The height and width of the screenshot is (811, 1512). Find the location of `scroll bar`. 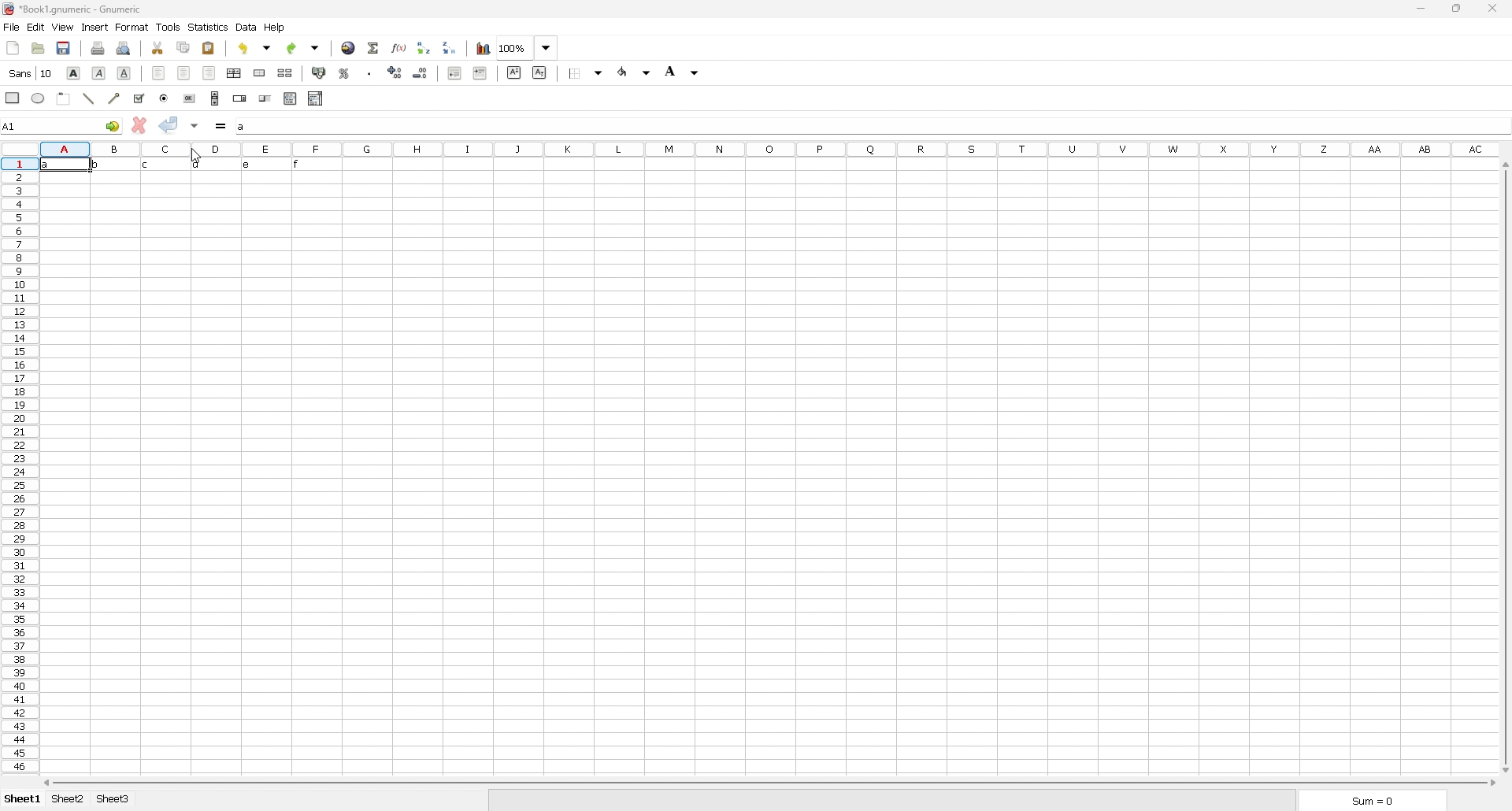

scroll bar is located at coordinates (215, 98).